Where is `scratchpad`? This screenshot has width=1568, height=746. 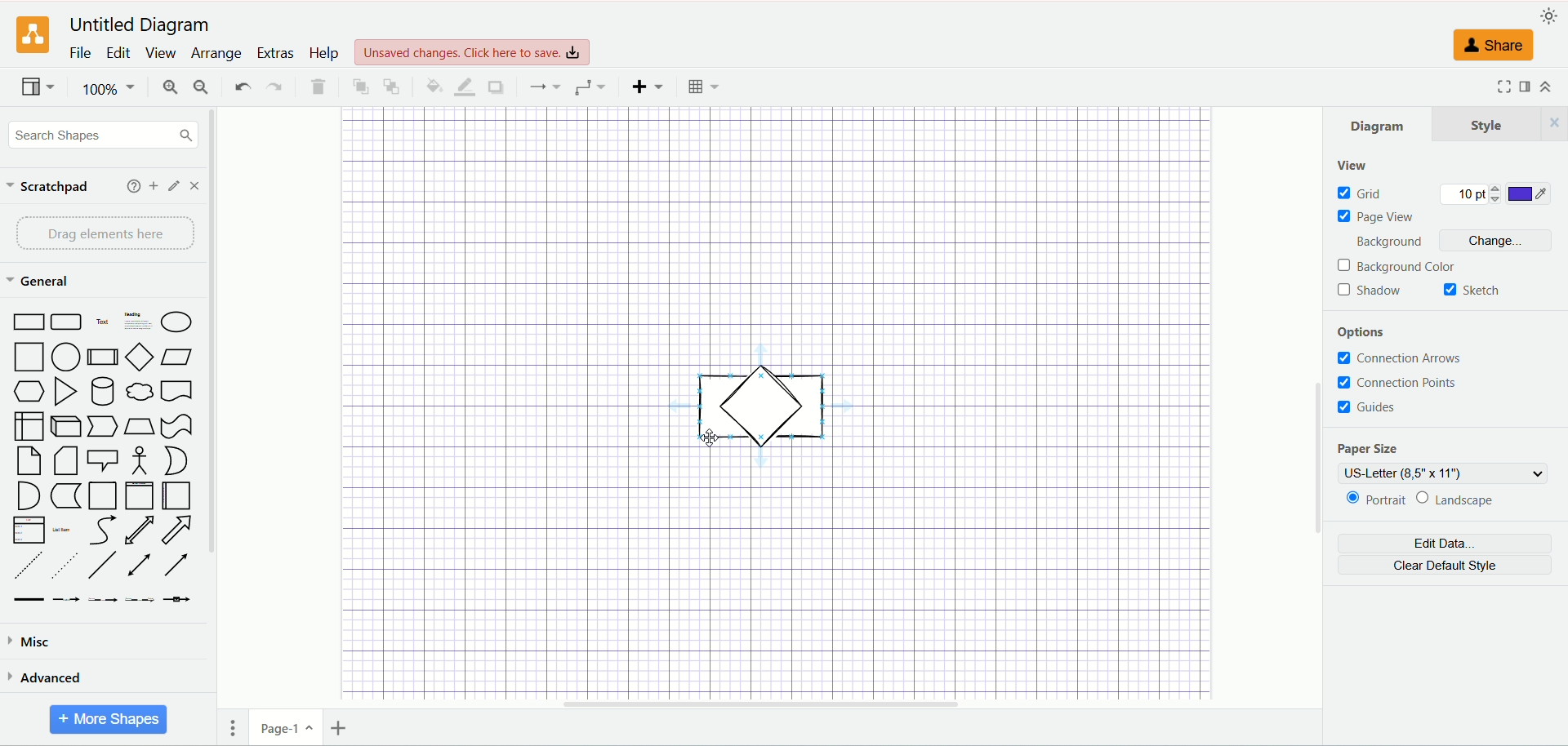
scratchpad is located at coordinates (48, 189).